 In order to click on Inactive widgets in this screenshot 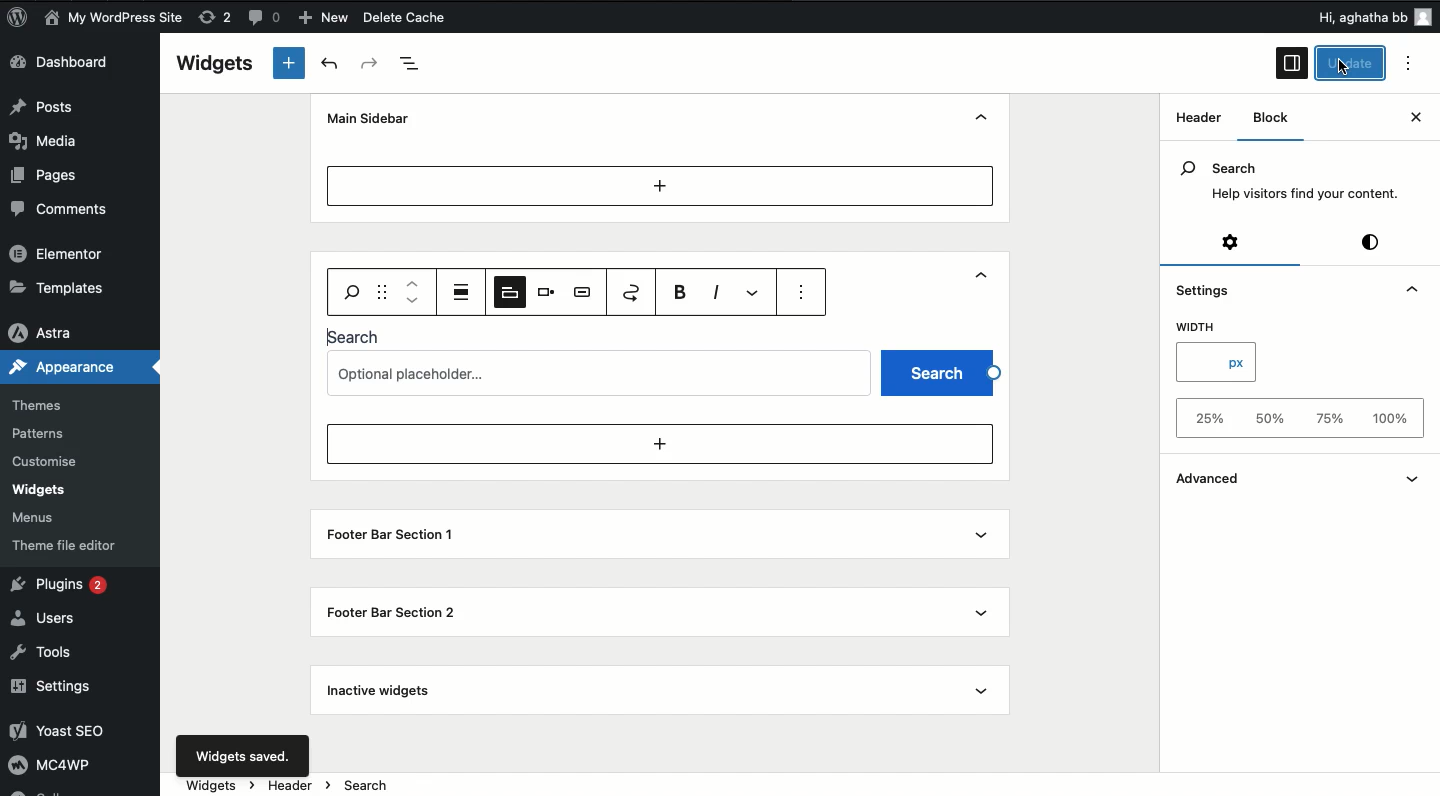, I will do `click(383, 691)`.